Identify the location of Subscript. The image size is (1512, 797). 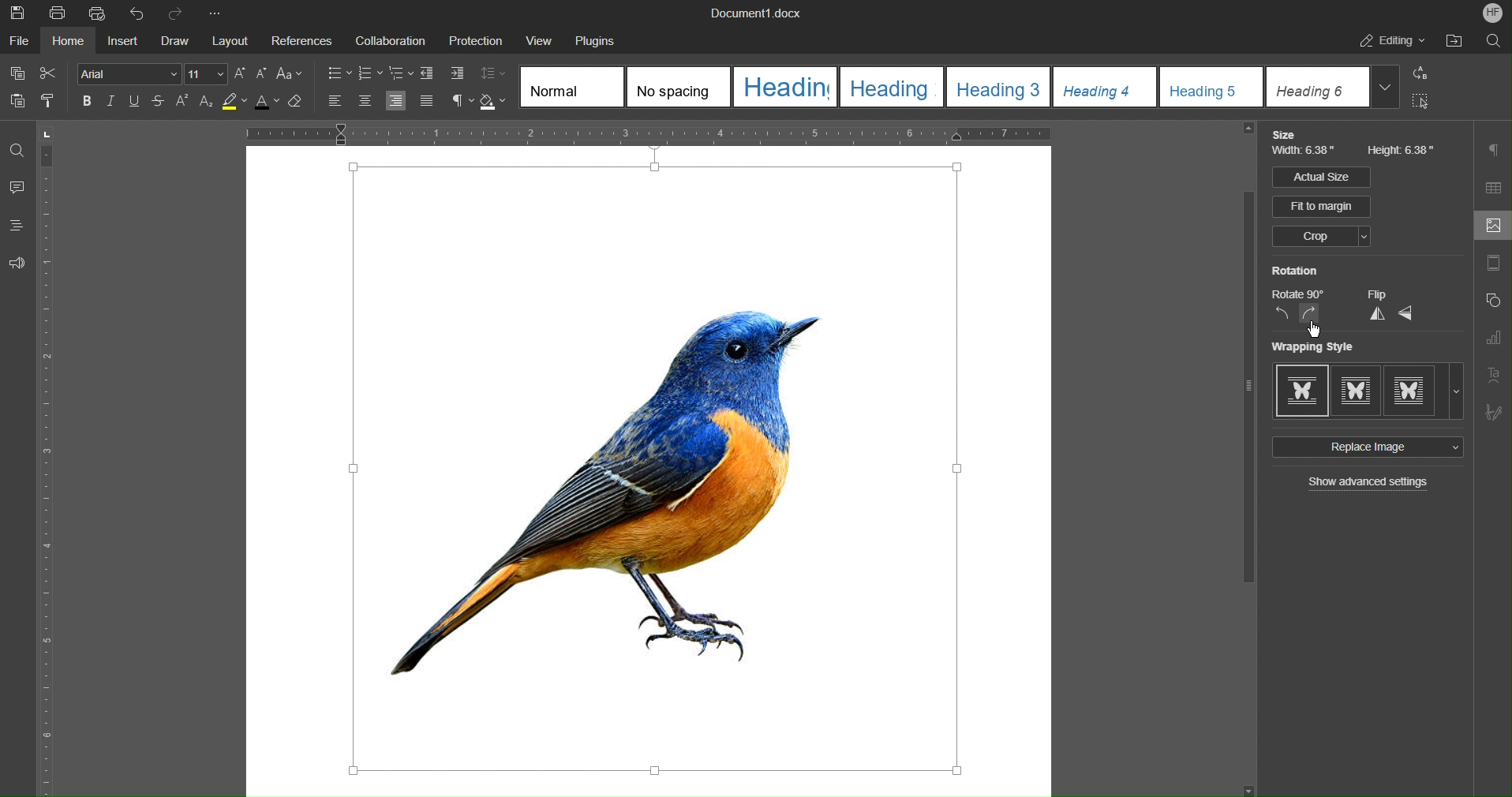
(205, 103).